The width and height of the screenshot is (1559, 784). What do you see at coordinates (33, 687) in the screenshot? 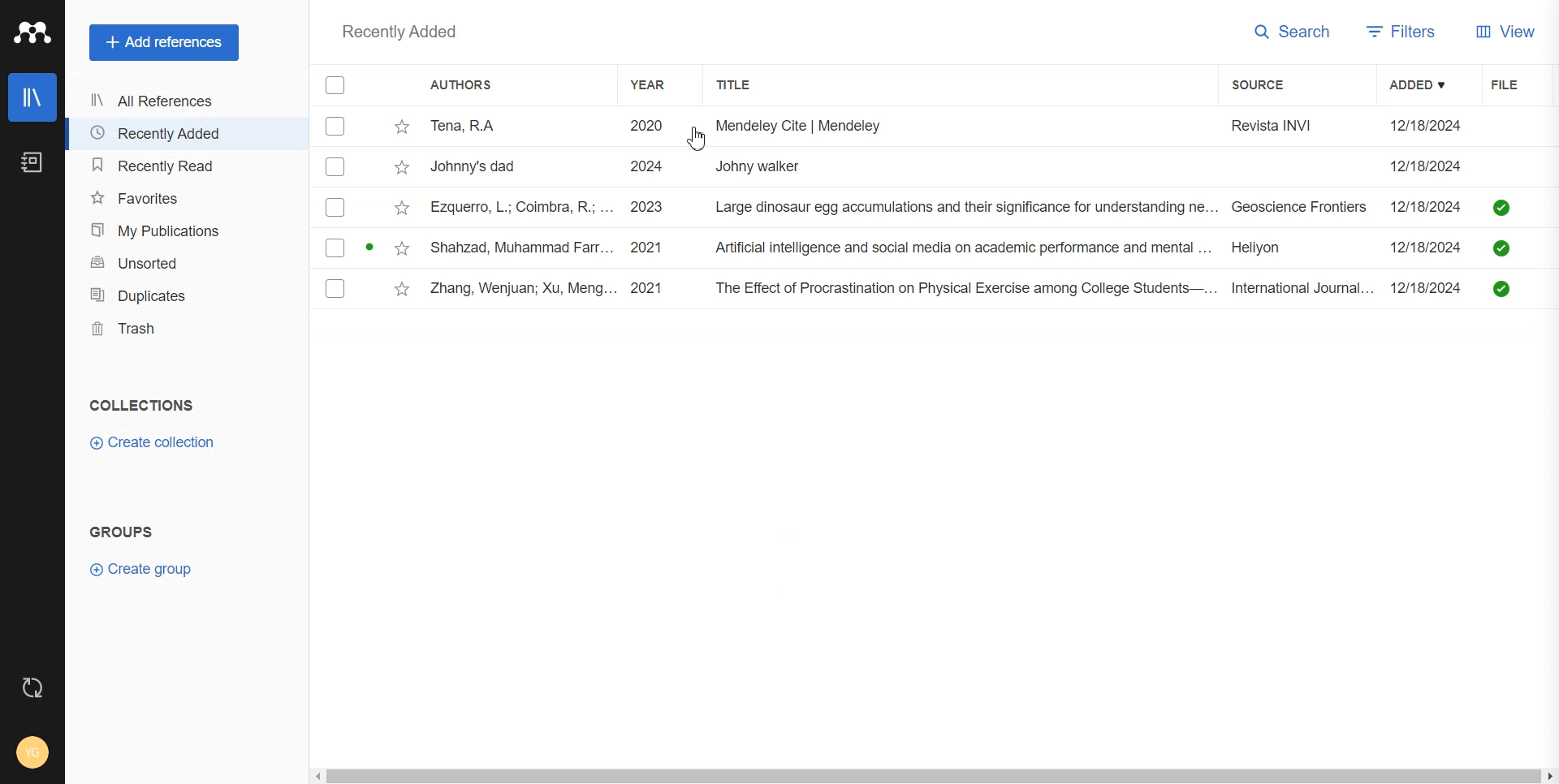
I see `Auto sync` at bounding box center [33, 687].